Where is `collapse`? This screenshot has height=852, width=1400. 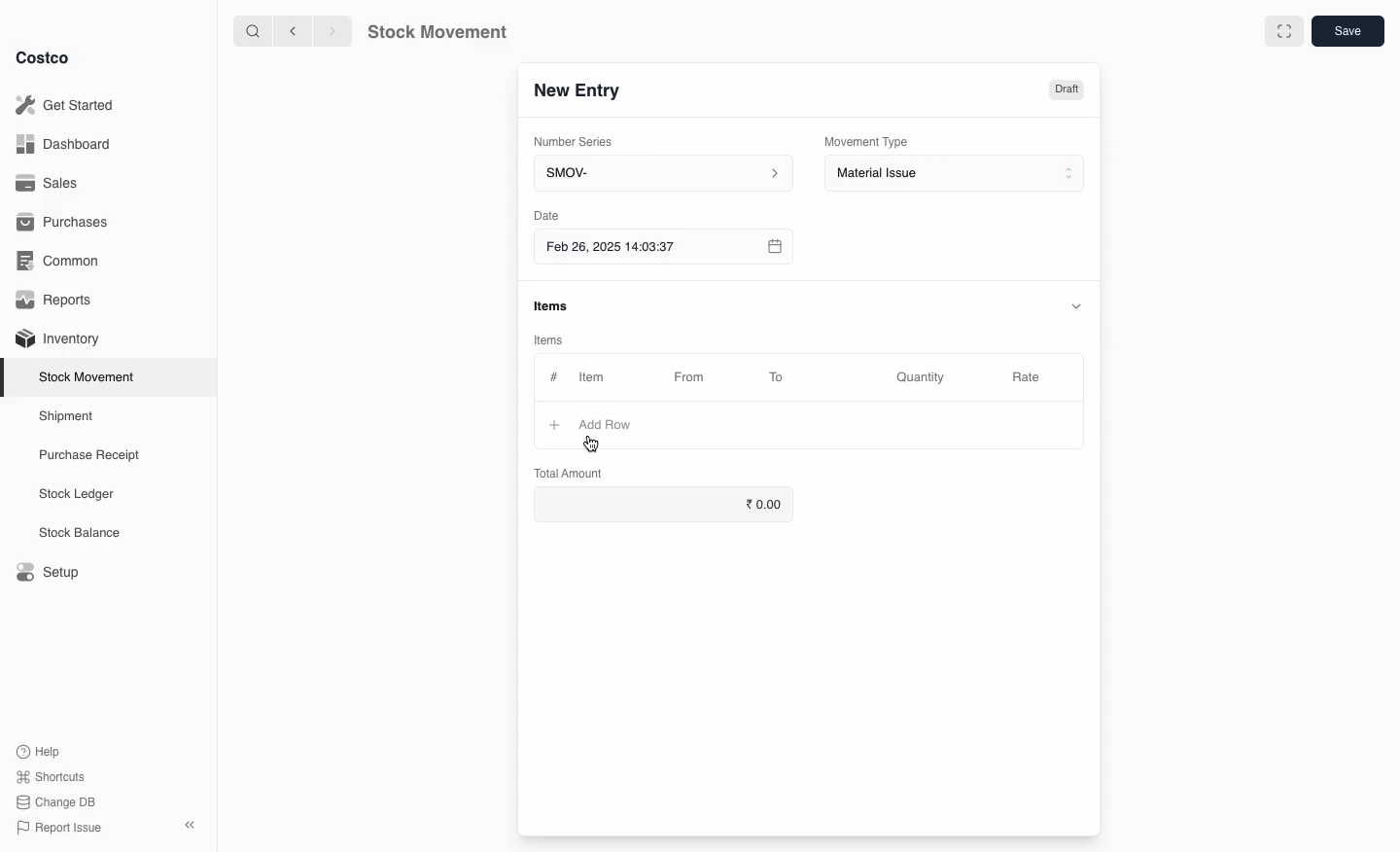 collapse is located at coordinates (189, 824).